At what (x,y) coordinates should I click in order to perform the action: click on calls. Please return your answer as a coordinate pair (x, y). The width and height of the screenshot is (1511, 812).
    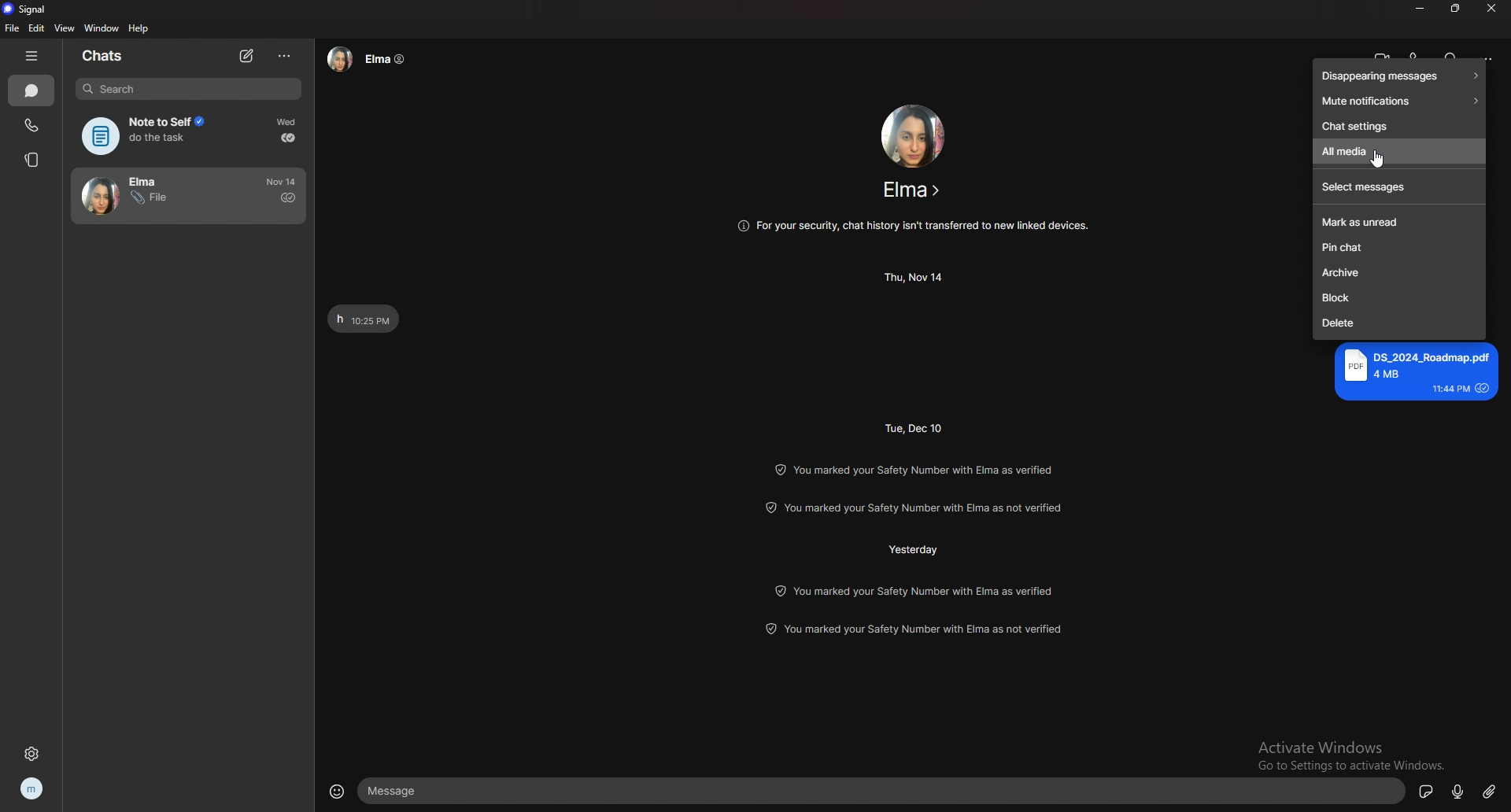
    Looking at the image, I should click on (32, 126).